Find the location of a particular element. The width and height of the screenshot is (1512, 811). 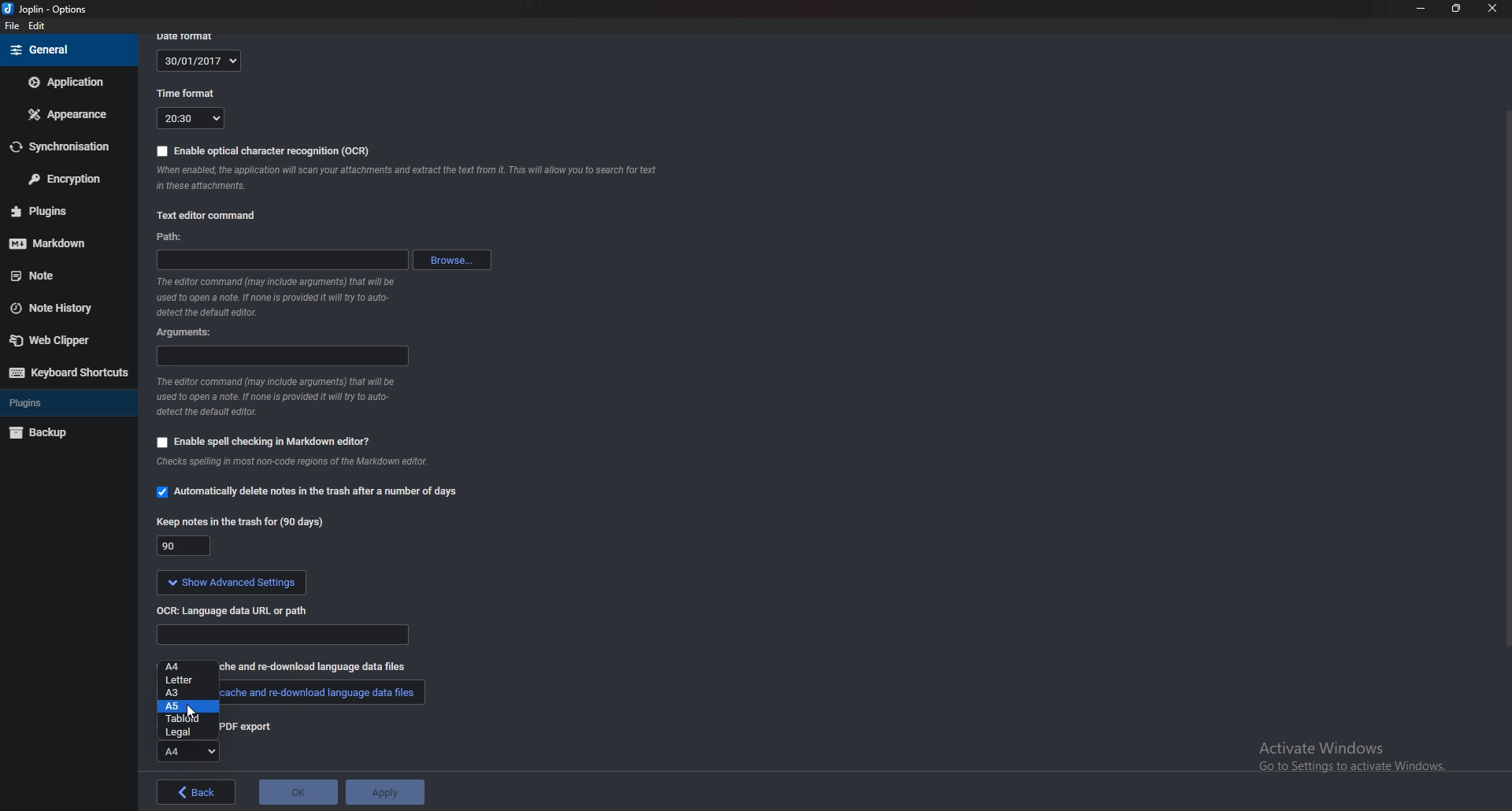

path is located at coordinates (282, 261).